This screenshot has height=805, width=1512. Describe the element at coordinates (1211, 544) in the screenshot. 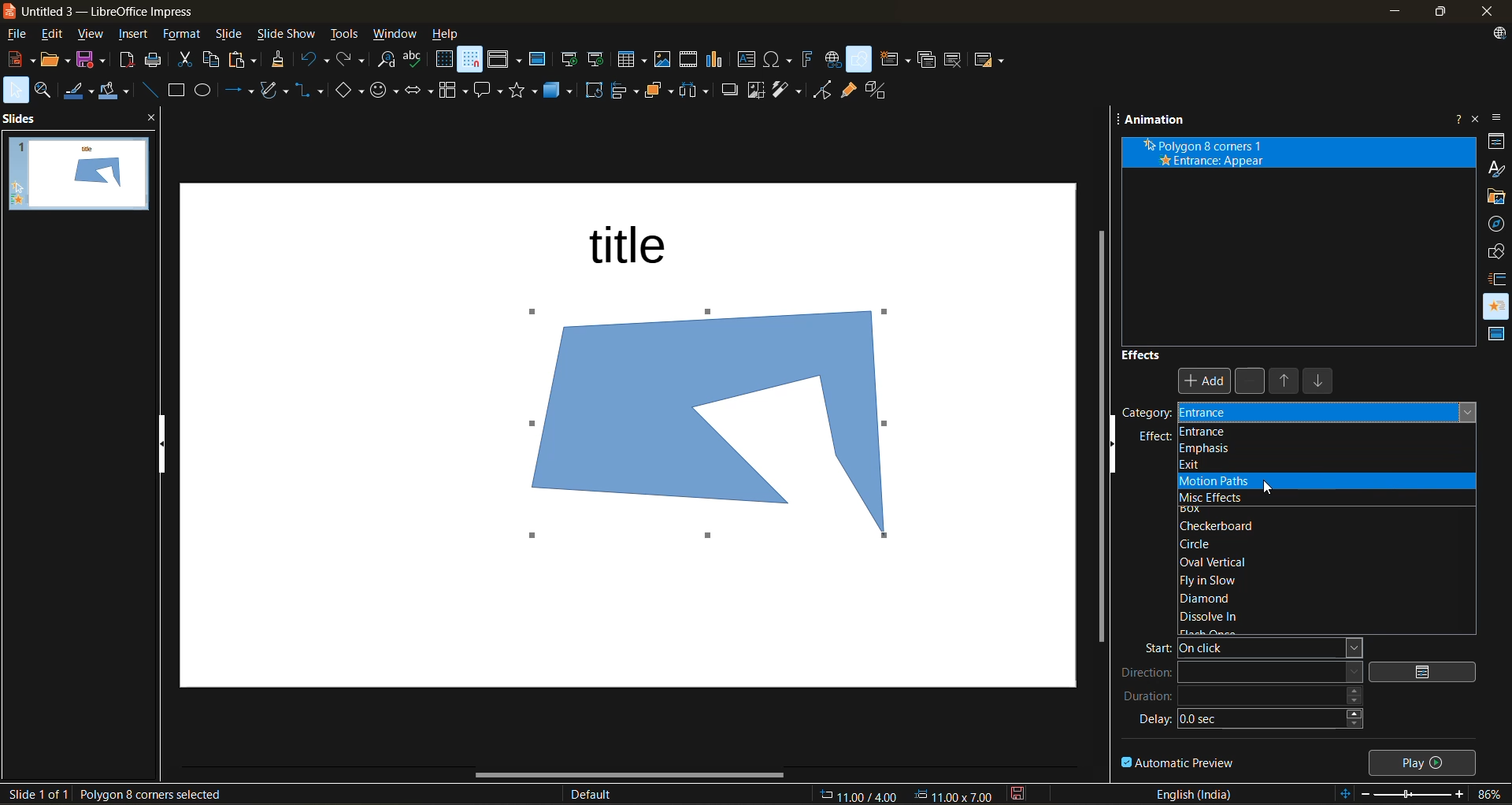

I see `circle` at that location.